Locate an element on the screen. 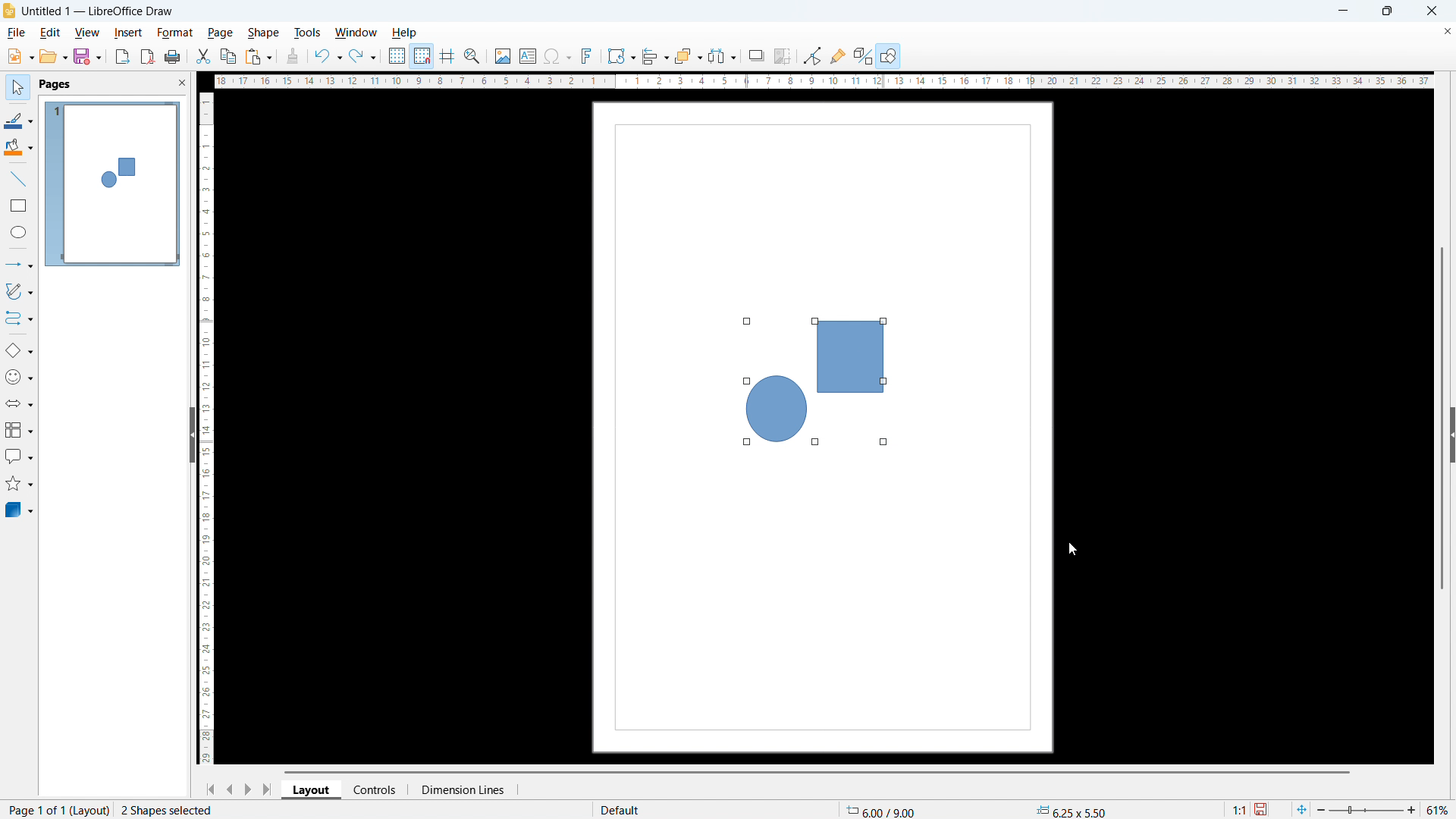  close pane is located at coordinates (181, 83).